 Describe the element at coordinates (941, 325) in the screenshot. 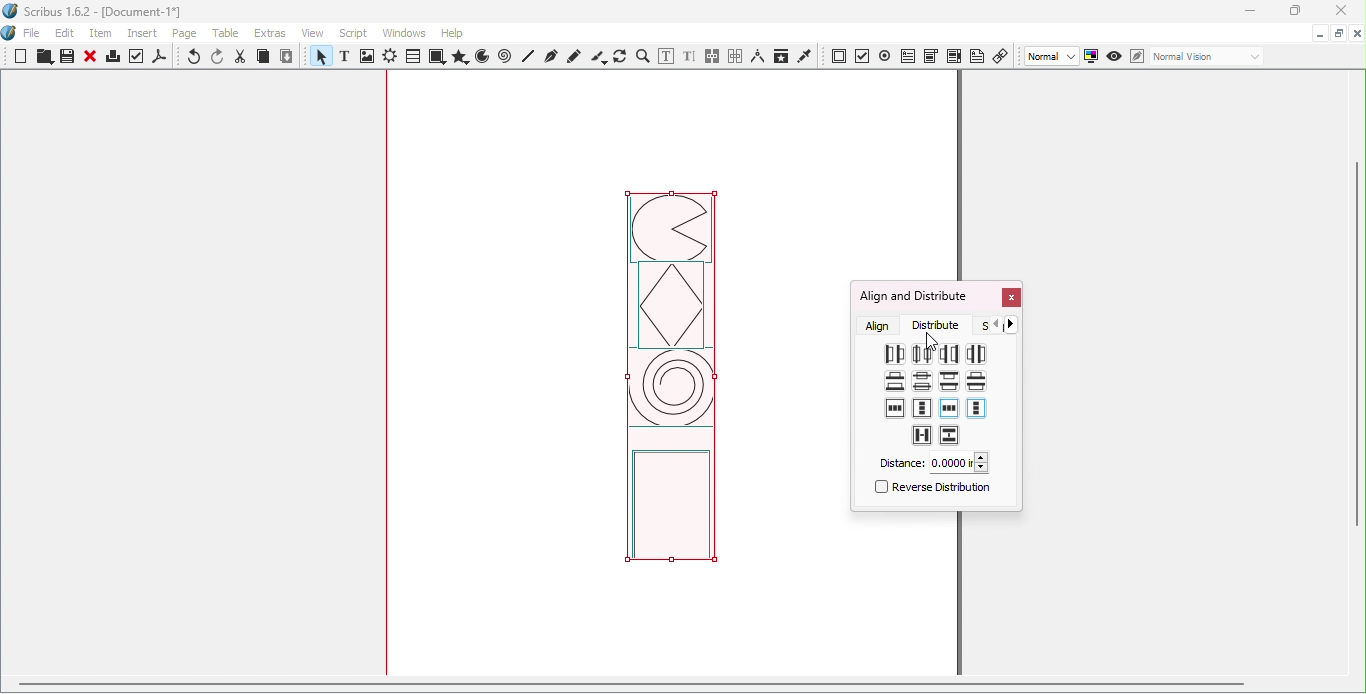

I see `Distribute` at that location.